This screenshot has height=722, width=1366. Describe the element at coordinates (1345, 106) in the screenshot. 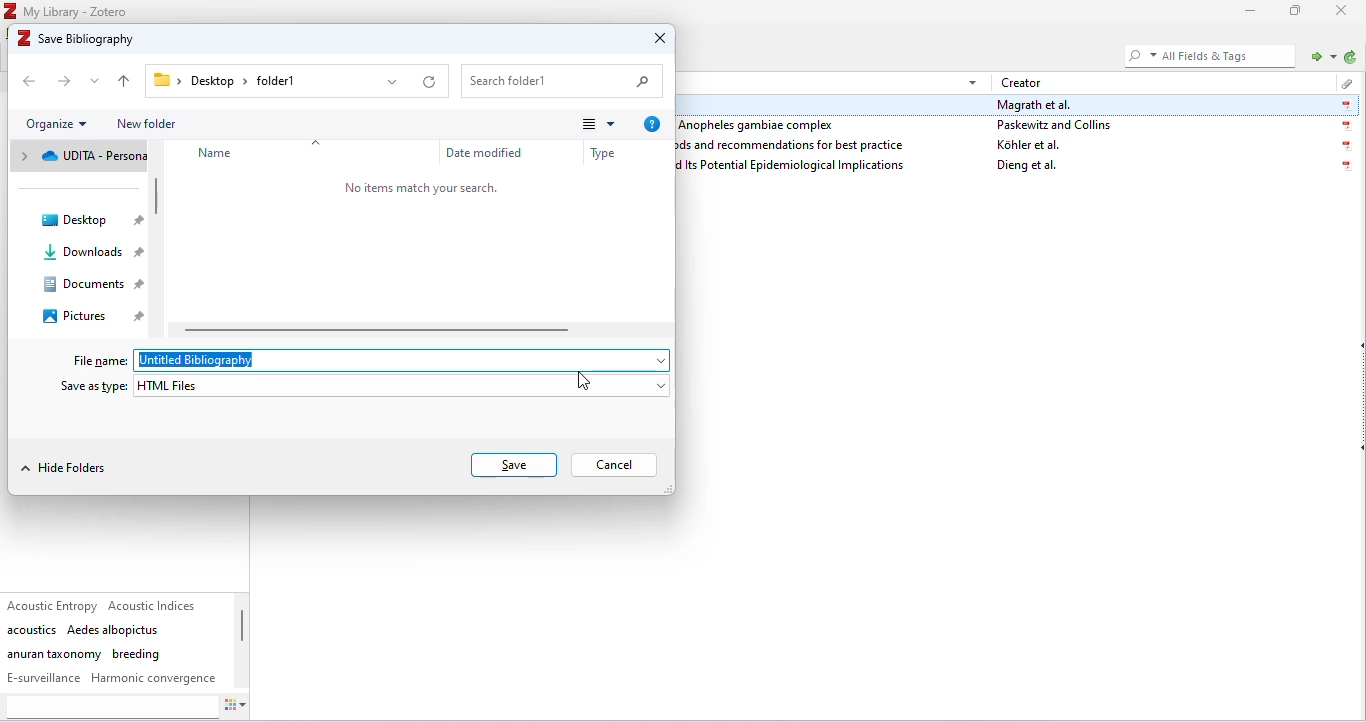

I see `pdf` at that location.